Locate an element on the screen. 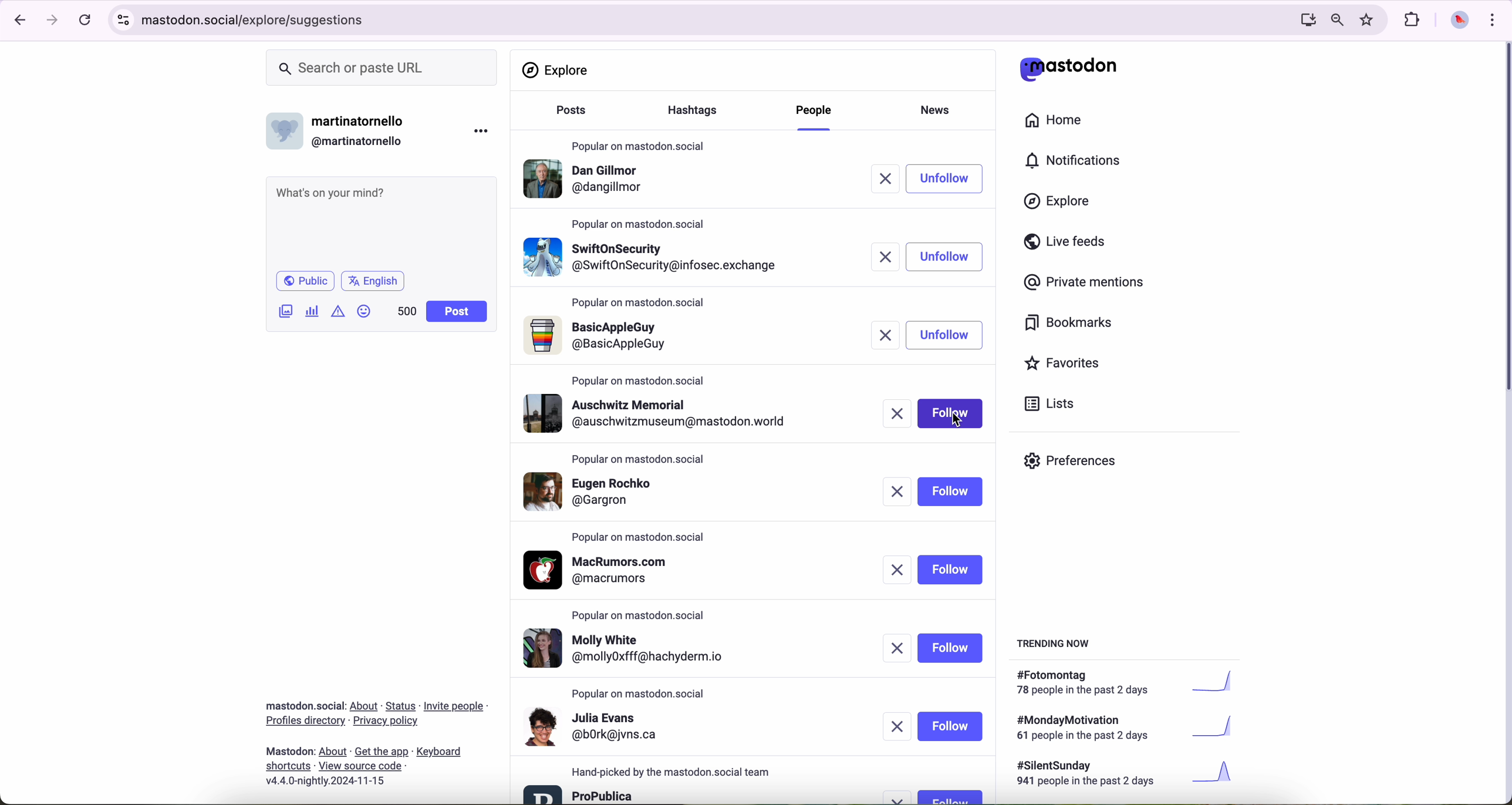 The width and height of the screenshot is (1512, 805). profile picture is located at coordinates (1456, 21).